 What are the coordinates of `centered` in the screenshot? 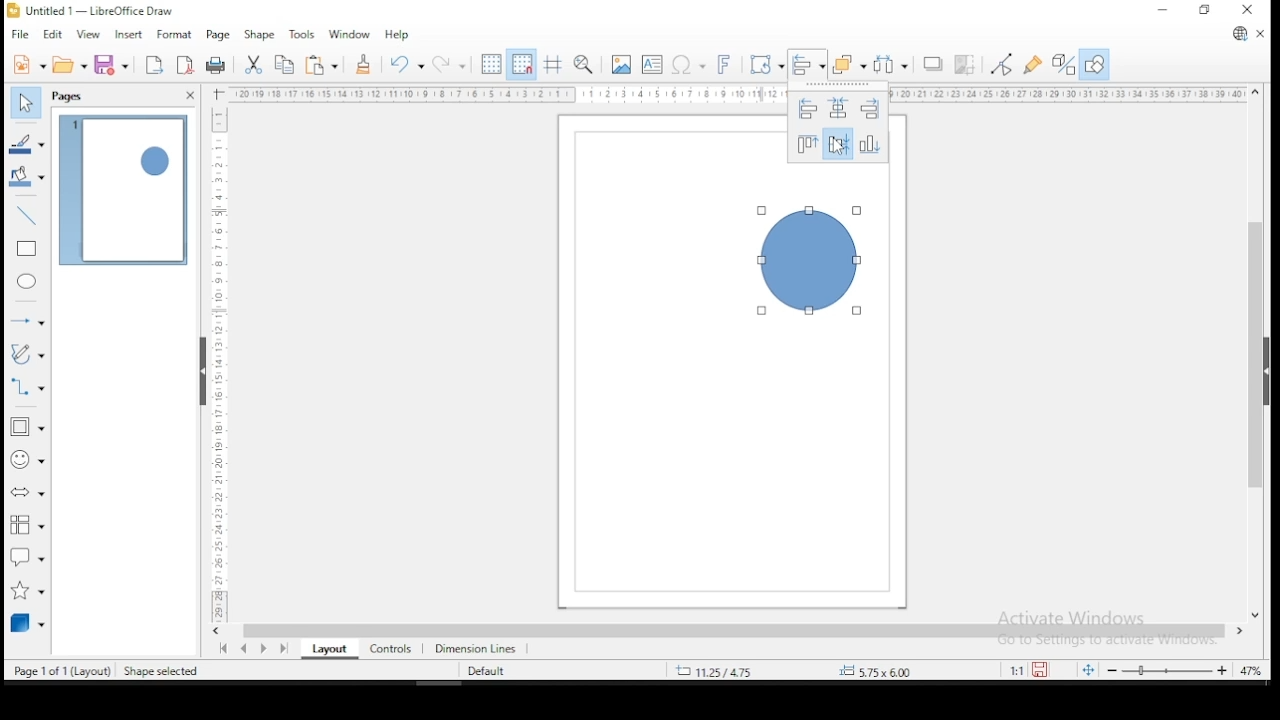 It's located at (838, 110).